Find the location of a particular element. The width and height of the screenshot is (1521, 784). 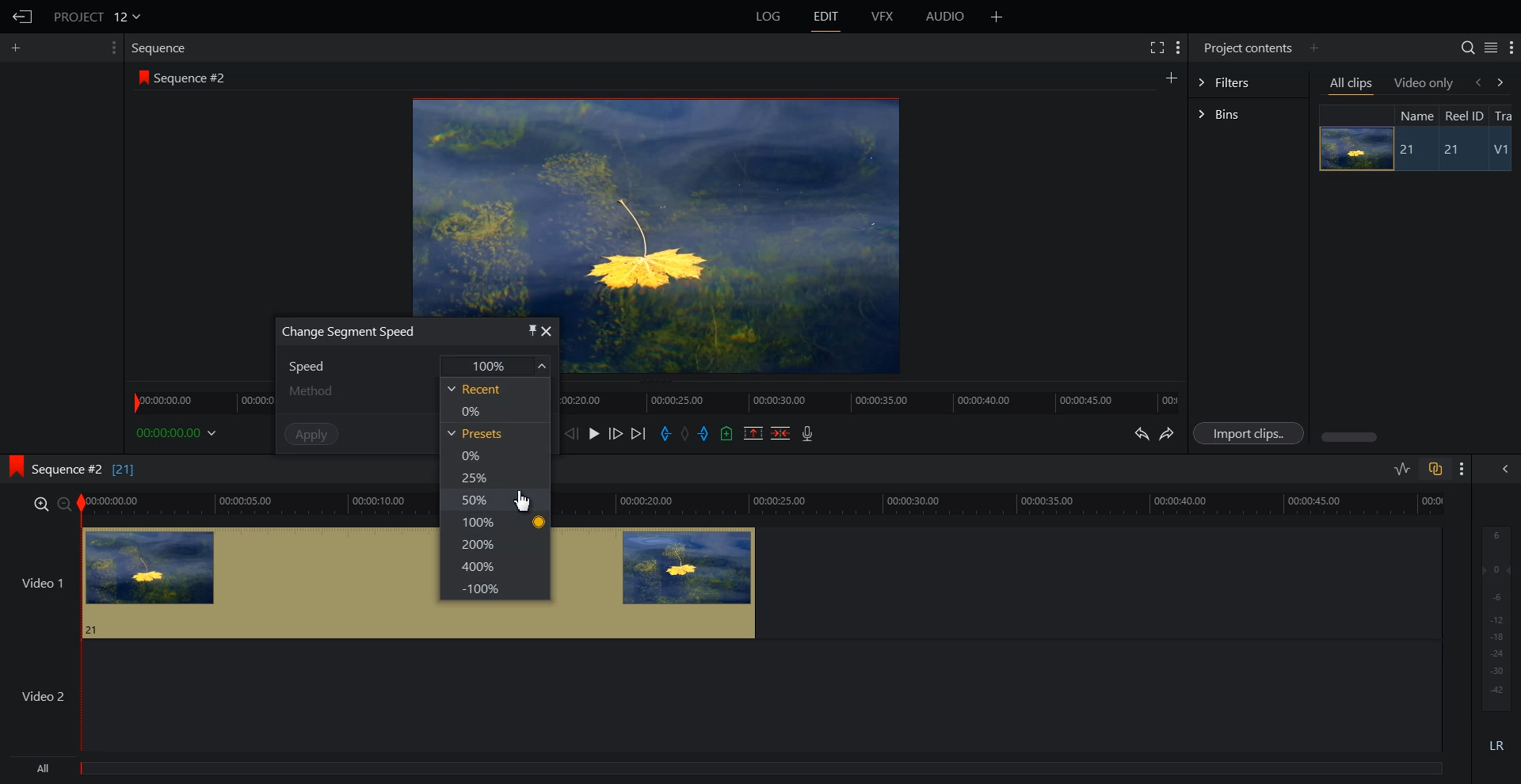

logo is located at coordinates (140, 77).